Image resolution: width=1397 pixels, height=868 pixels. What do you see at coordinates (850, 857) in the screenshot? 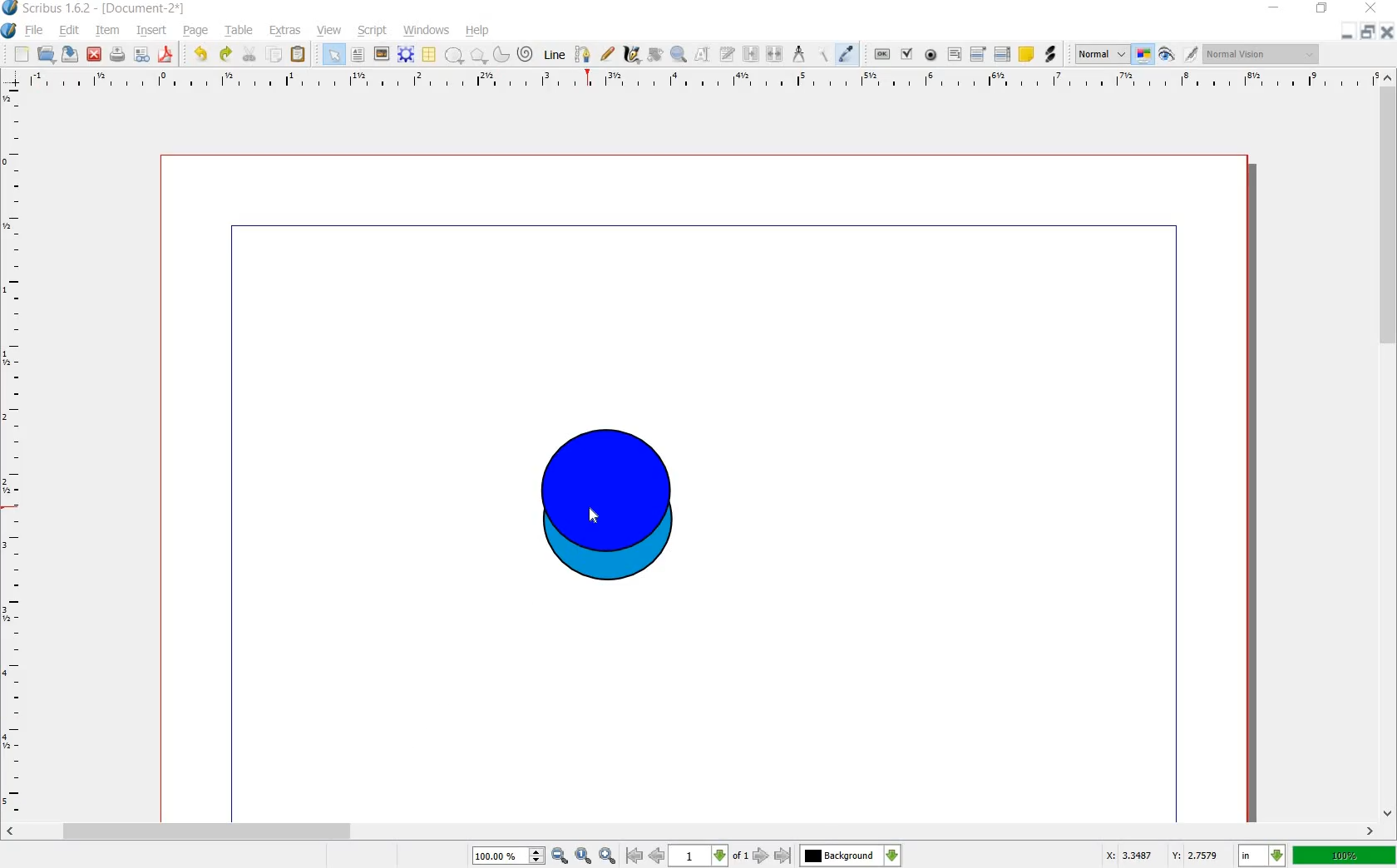
I see `select the current layer` at bounding box center [850, 857].